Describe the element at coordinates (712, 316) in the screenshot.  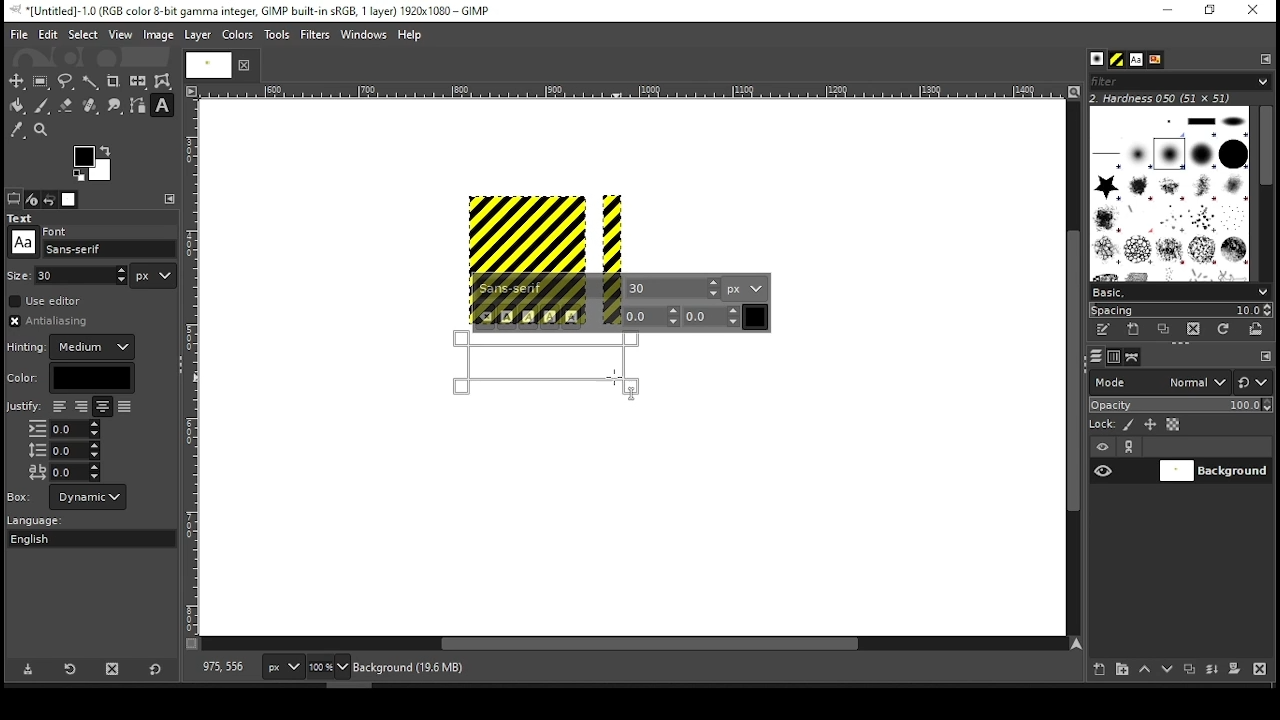
I see `change kerning of selected text` at that location.